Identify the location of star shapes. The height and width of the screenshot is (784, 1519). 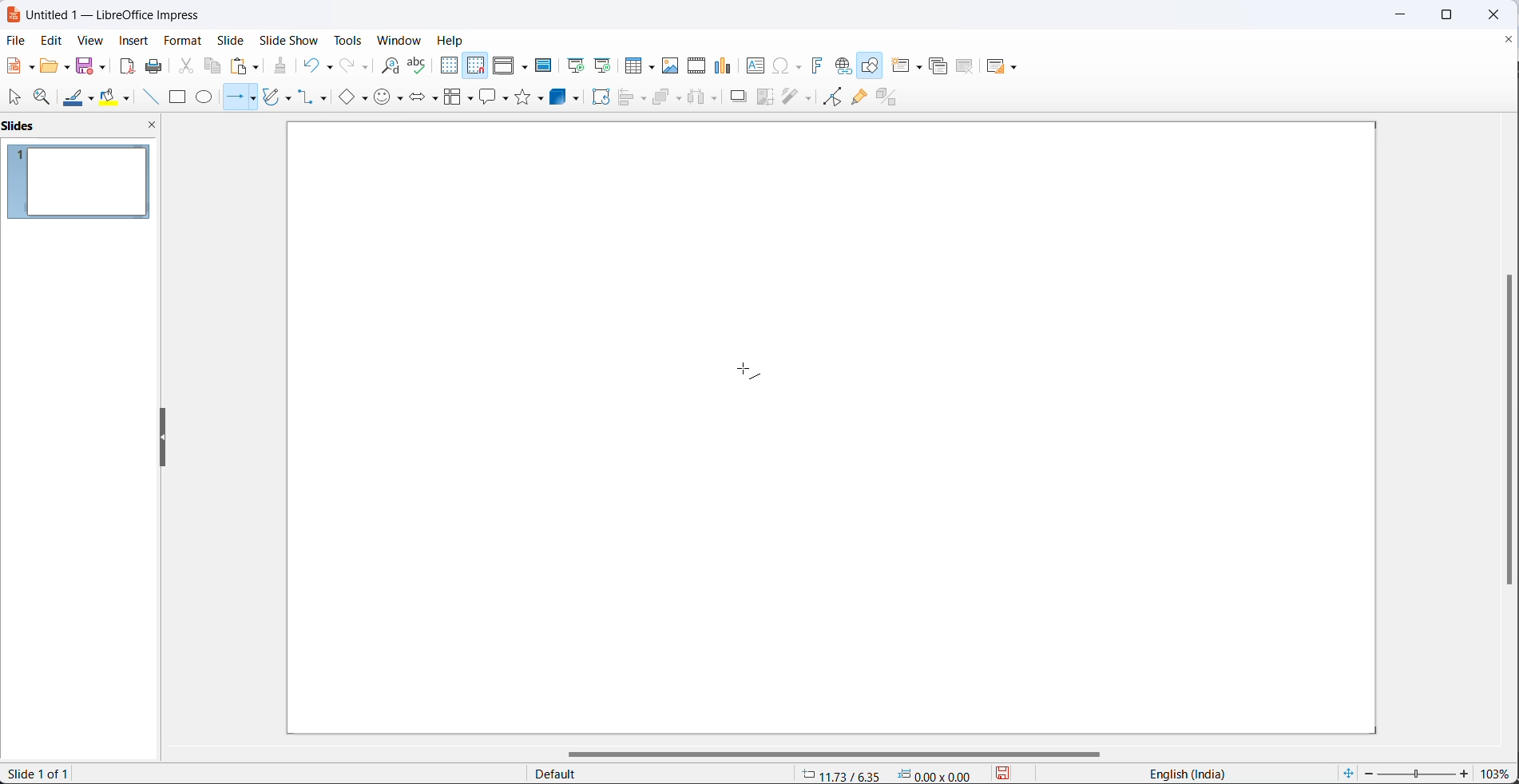
(531, 97).